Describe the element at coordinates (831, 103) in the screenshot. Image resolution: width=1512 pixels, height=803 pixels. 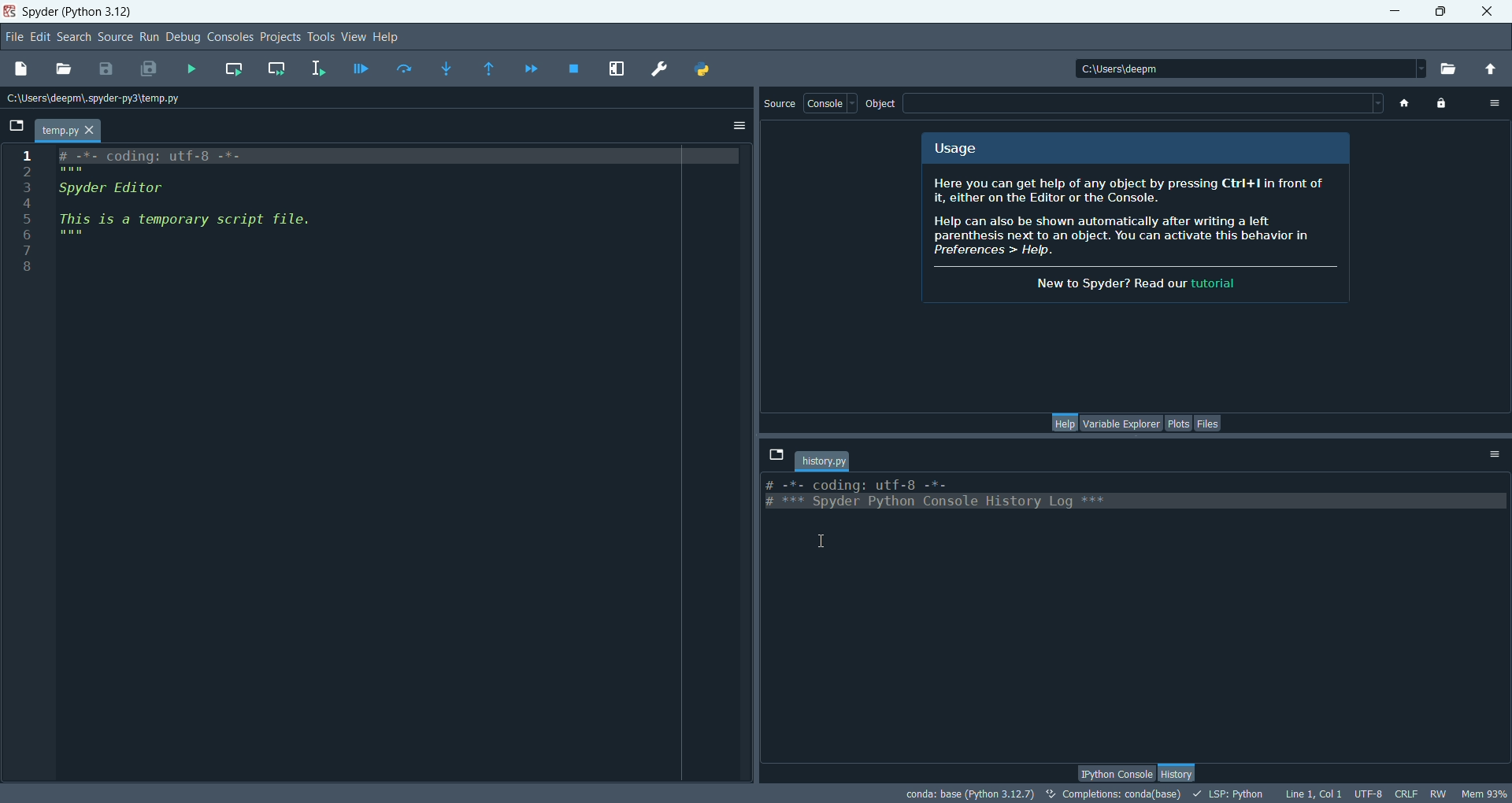
I see `console` at that location.